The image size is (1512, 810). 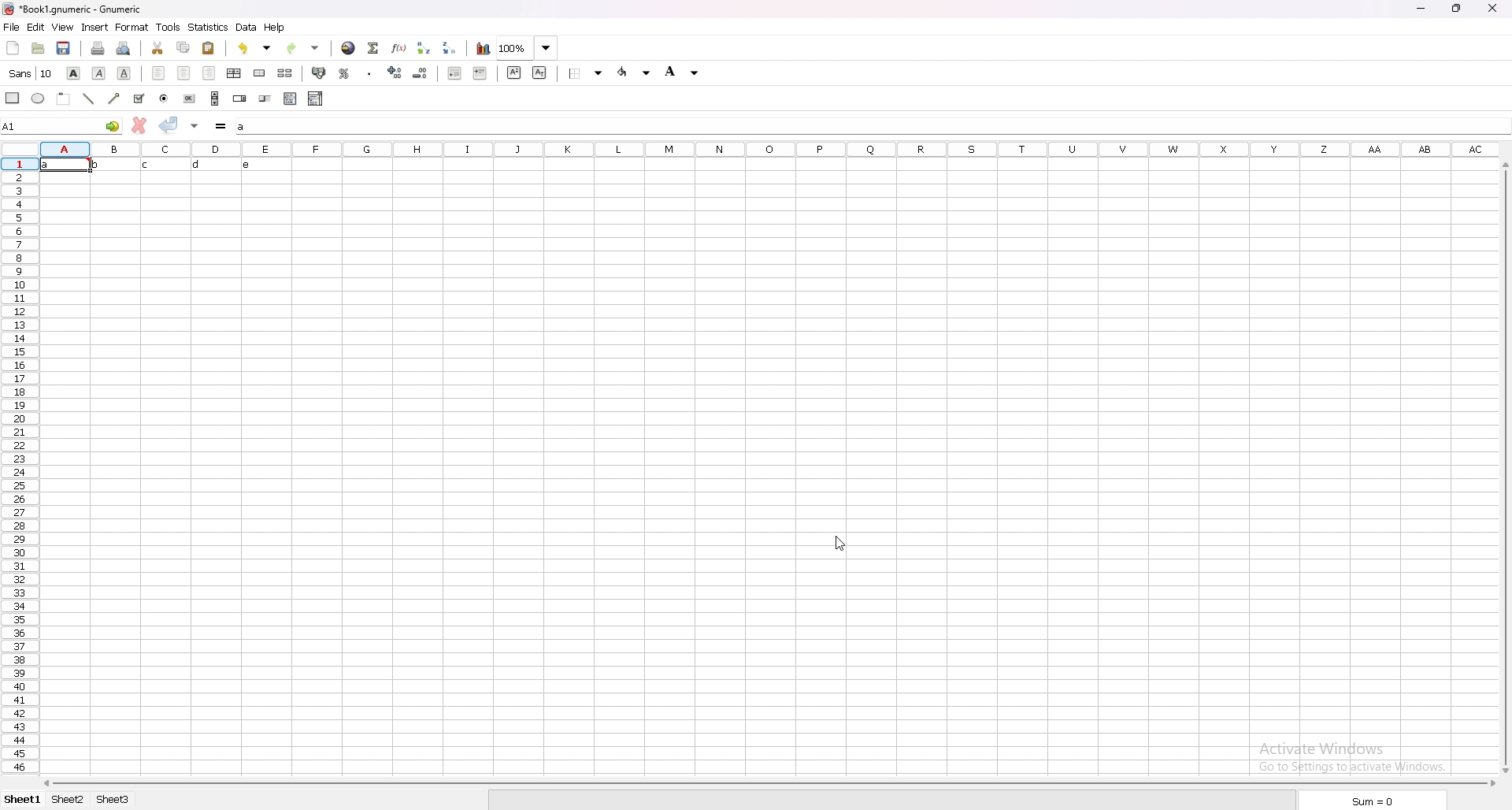 What do you see at coordinates (528, 48) in the screenshot?
I see `zoom` at bounding box center [528, 48].